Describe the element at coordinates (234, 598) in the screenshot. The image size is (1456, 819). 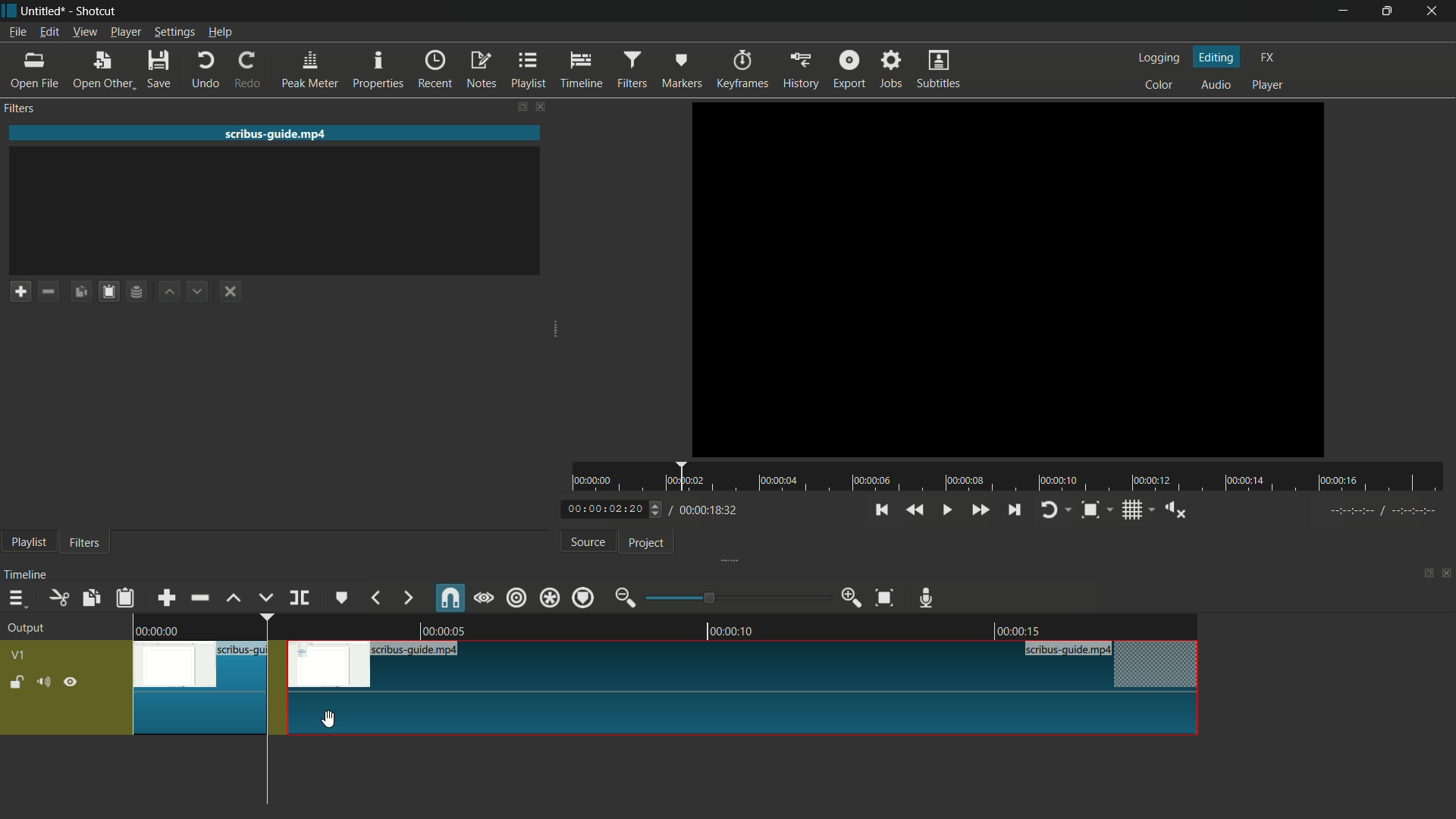
I see `lift` at that location.